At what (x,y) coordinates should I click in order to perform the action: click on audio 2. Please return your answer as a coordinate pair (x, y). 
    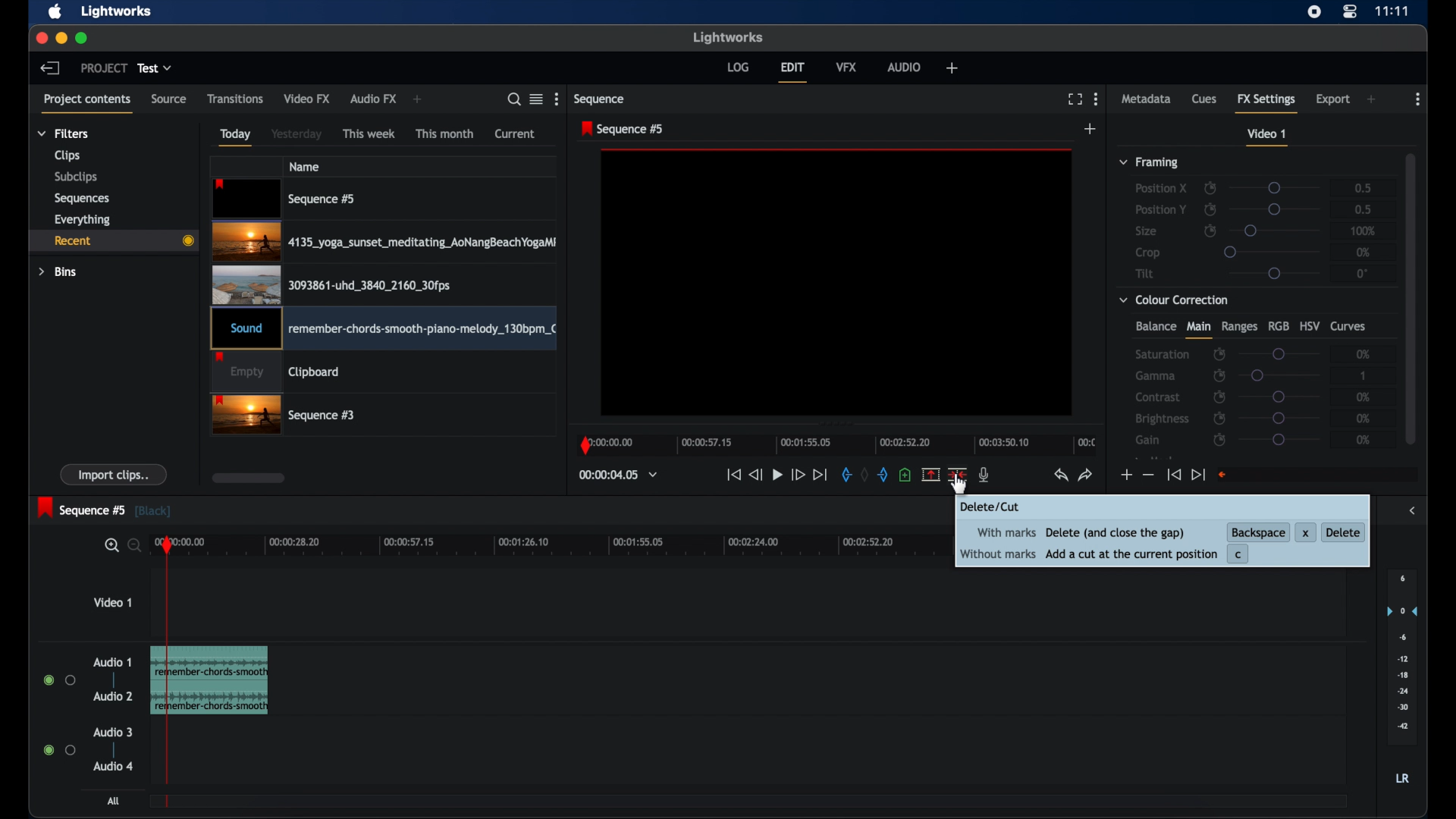
    Looking at the image, I should click on (113, 695).